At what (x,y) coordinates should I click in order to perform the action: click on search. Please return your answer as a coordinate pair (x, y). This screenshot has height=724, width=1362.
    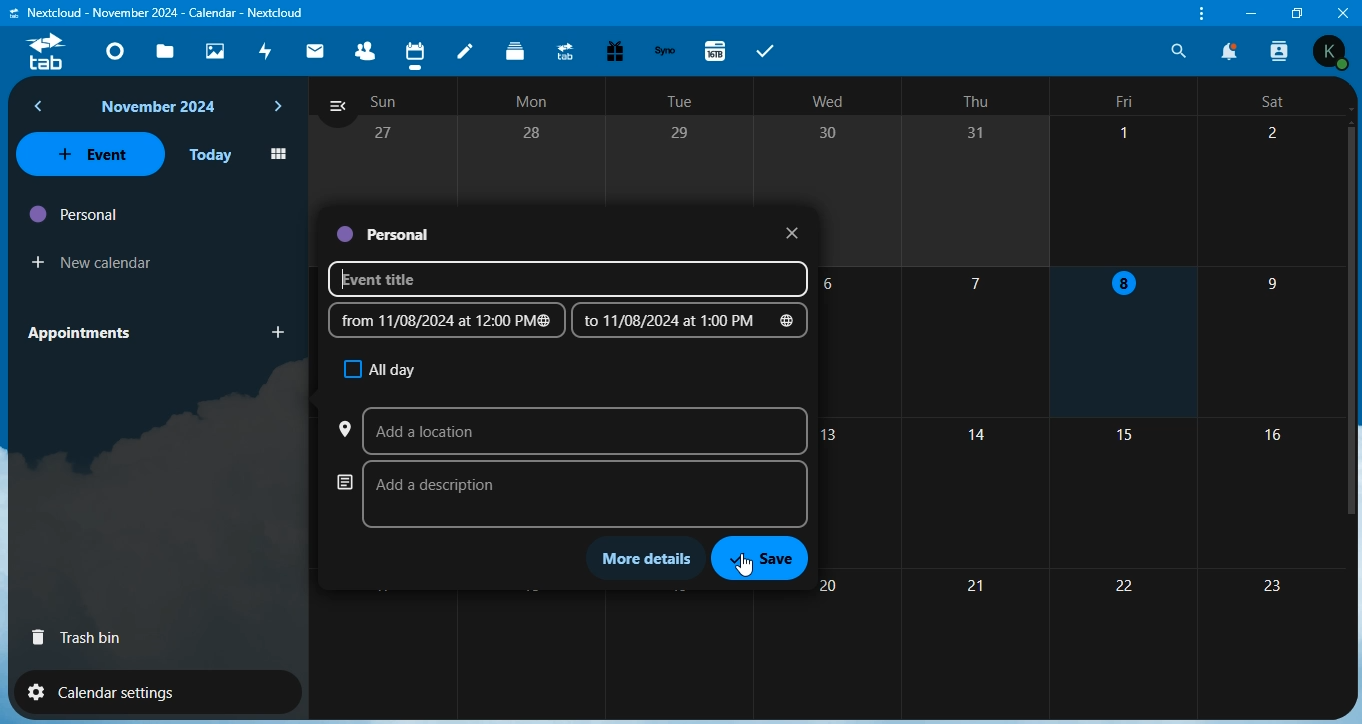
    Looking at the image, I should click on (1179, 51).